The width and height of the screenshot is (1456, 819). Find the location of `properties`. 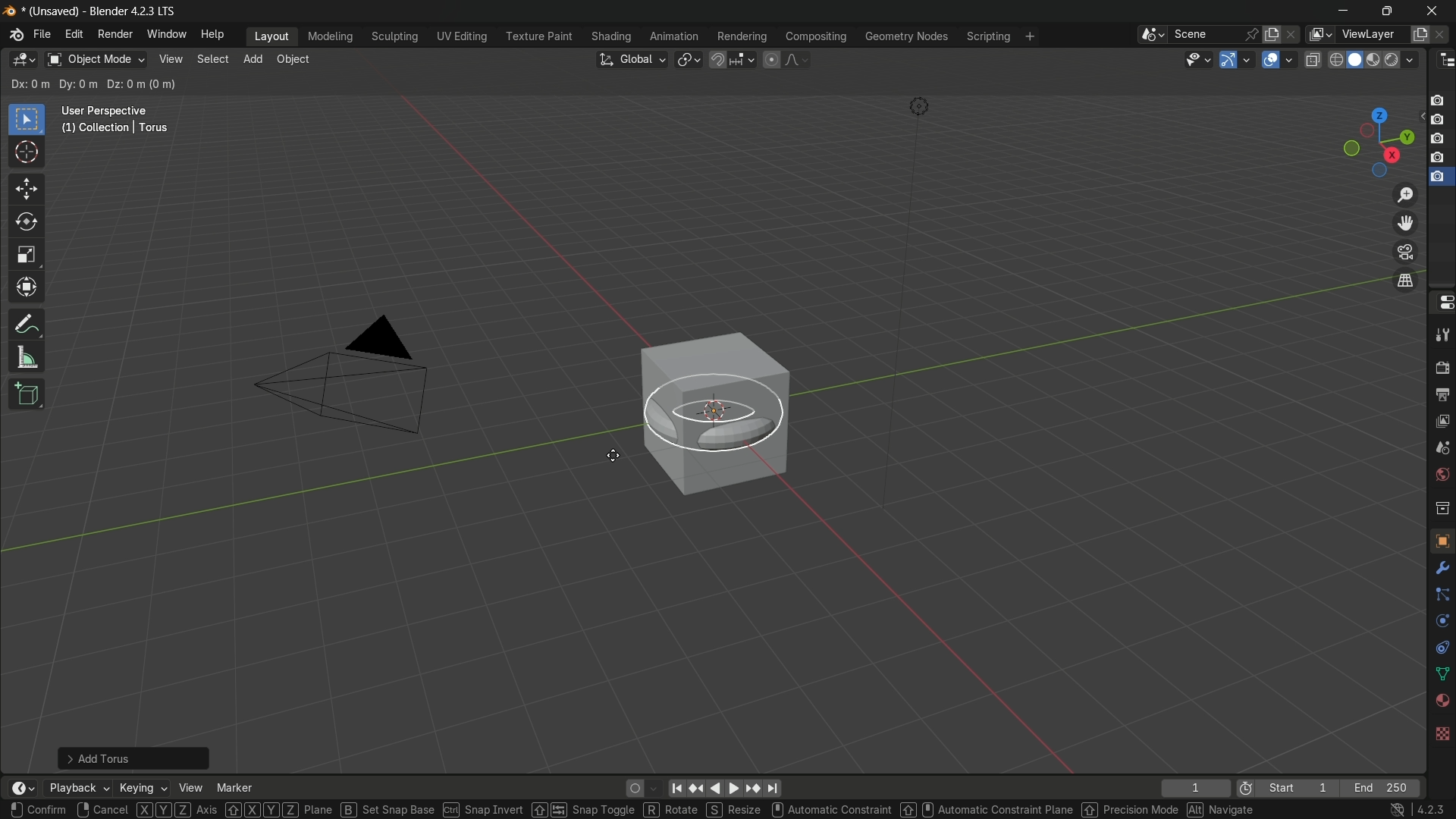

properties is located at coordinates (1442, 302).